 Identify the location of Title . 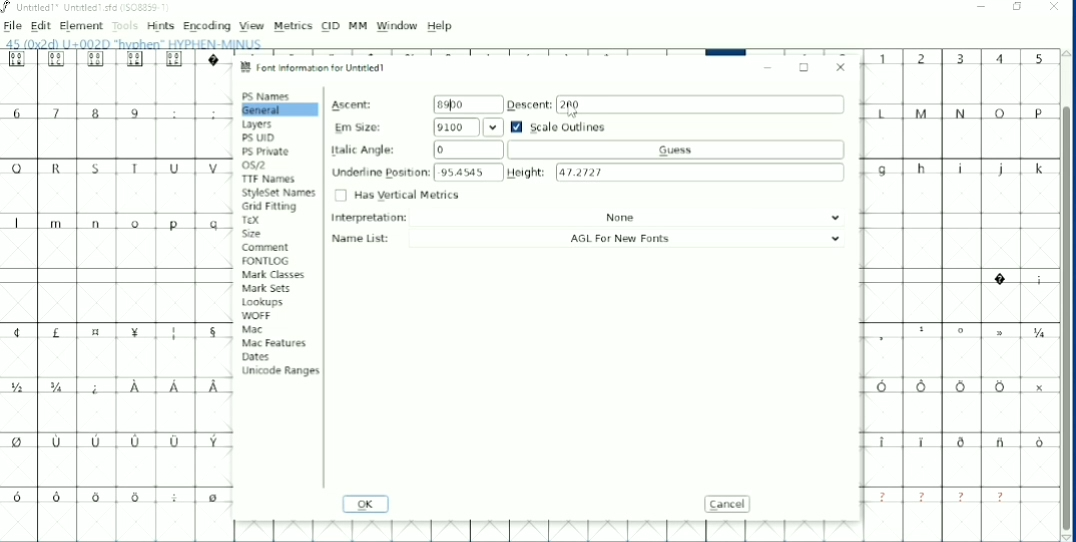
(89, 8).